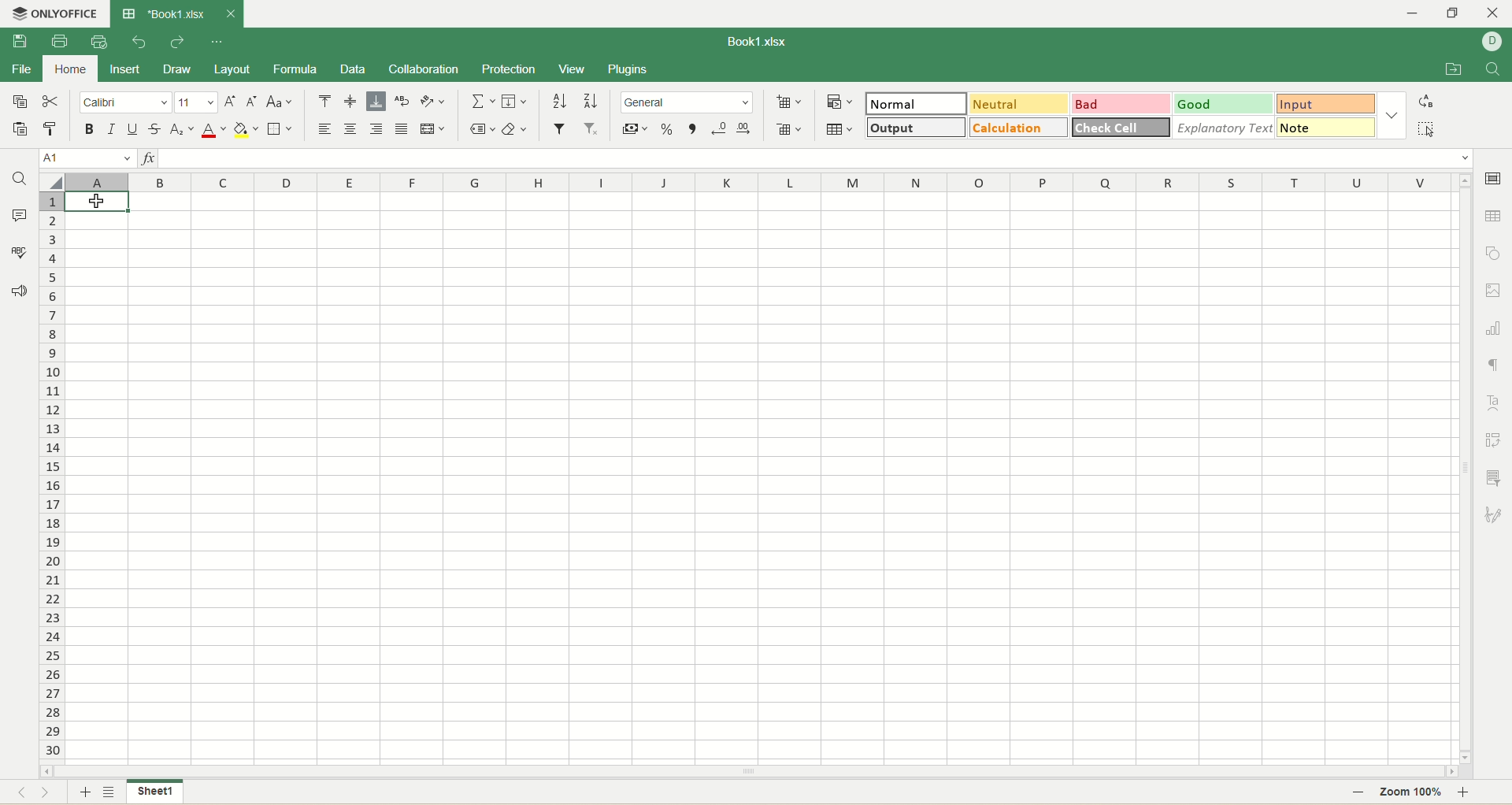  What do you see at coordinates (21, 128) in the screenshot?
I see `paste` at bounding box center [21, 128].